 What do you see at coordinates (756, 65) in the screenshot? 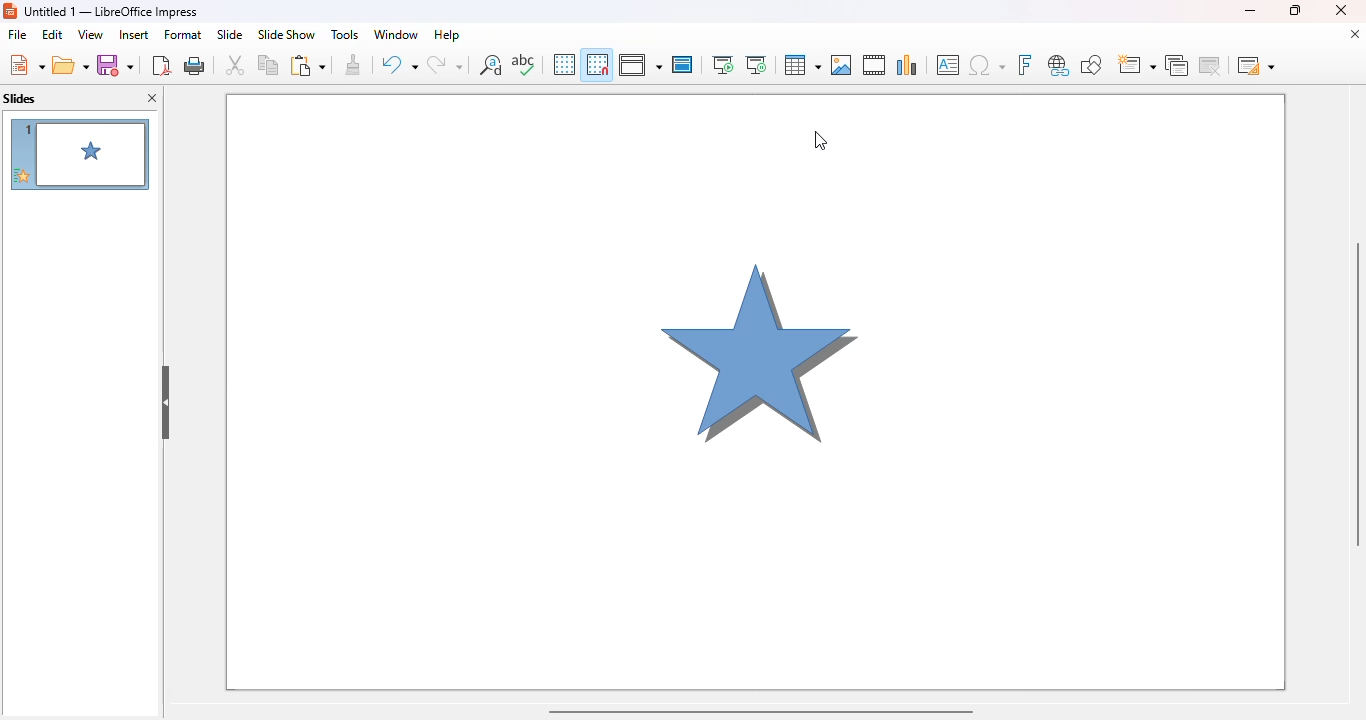
I see `start from current slide` at bounding box center [756, 65].